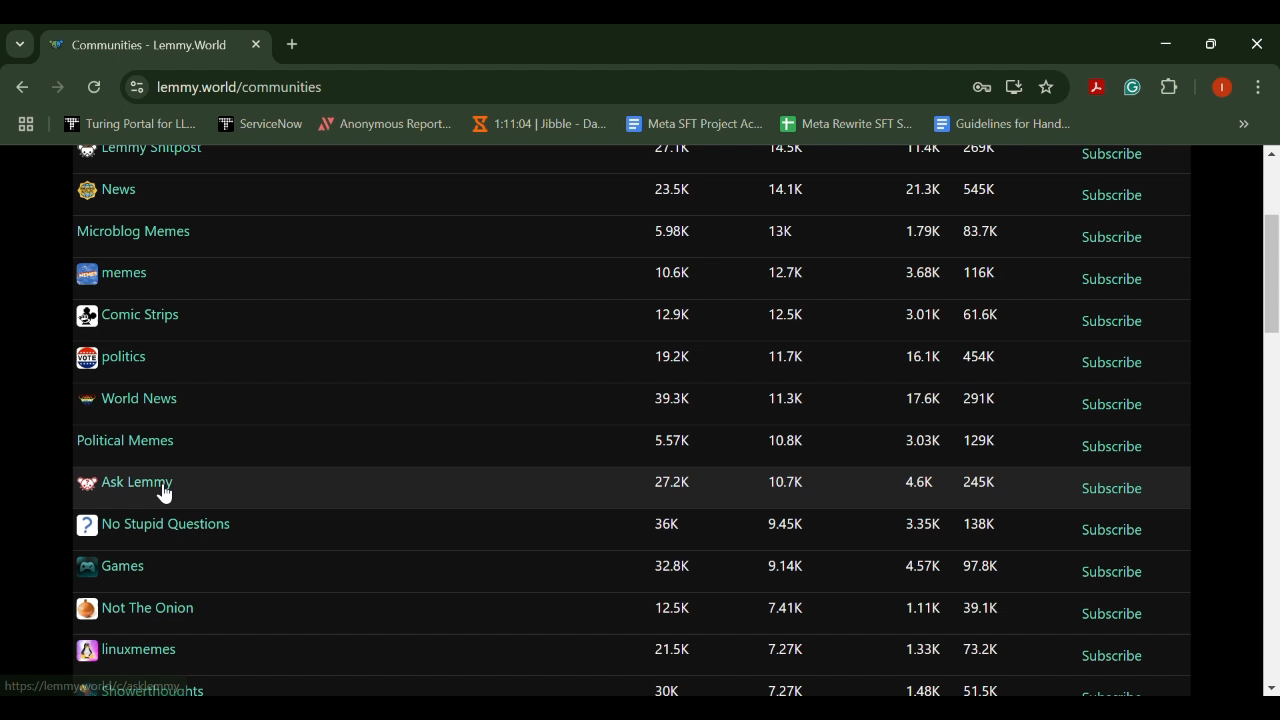  Describe the element at coordinates (918, 316) in the screenshot. I see `3.01K` at that location.